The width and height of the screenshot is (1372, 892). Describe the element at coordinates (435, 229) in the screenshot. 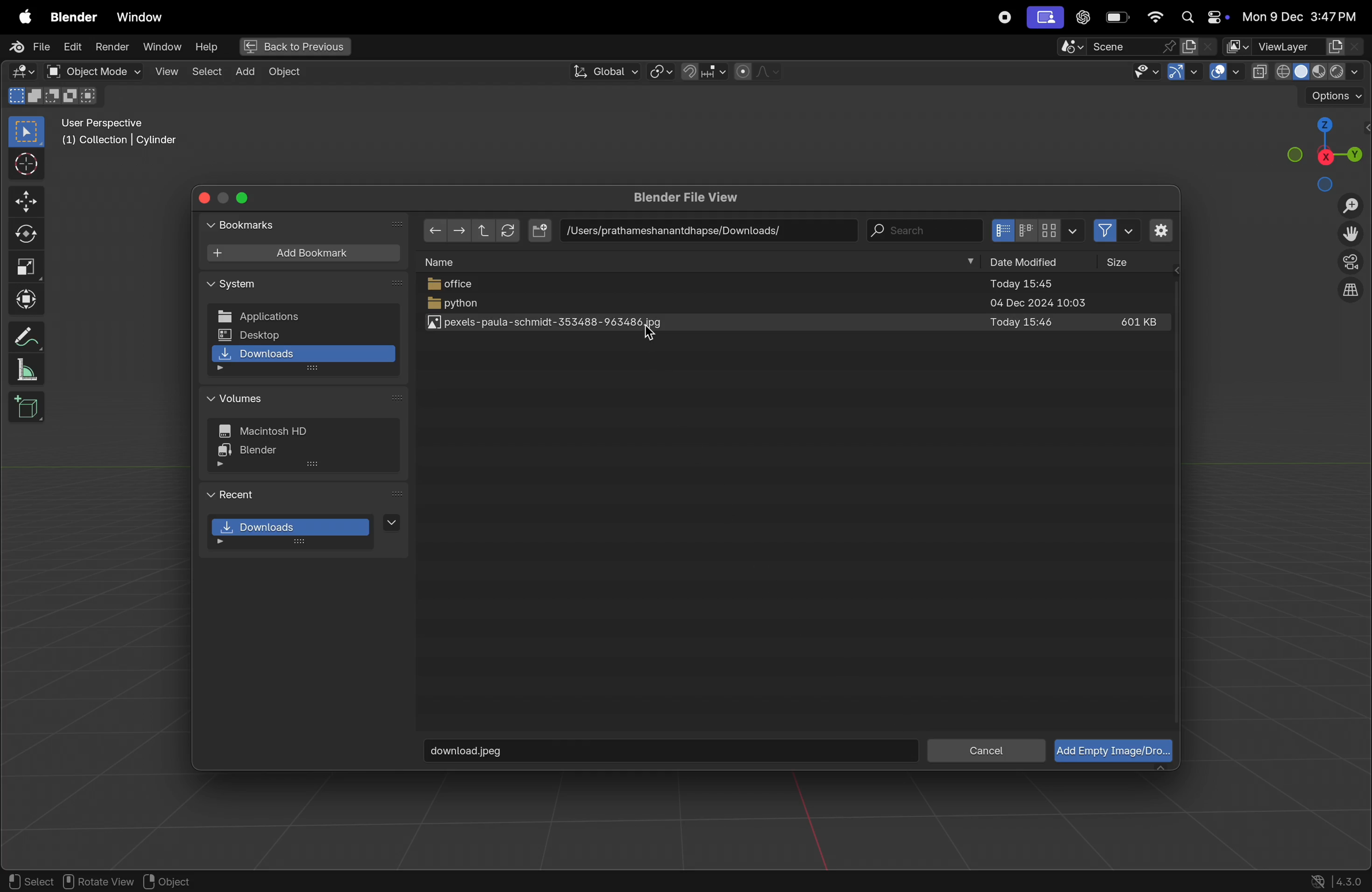

I see `back ward` at that location.